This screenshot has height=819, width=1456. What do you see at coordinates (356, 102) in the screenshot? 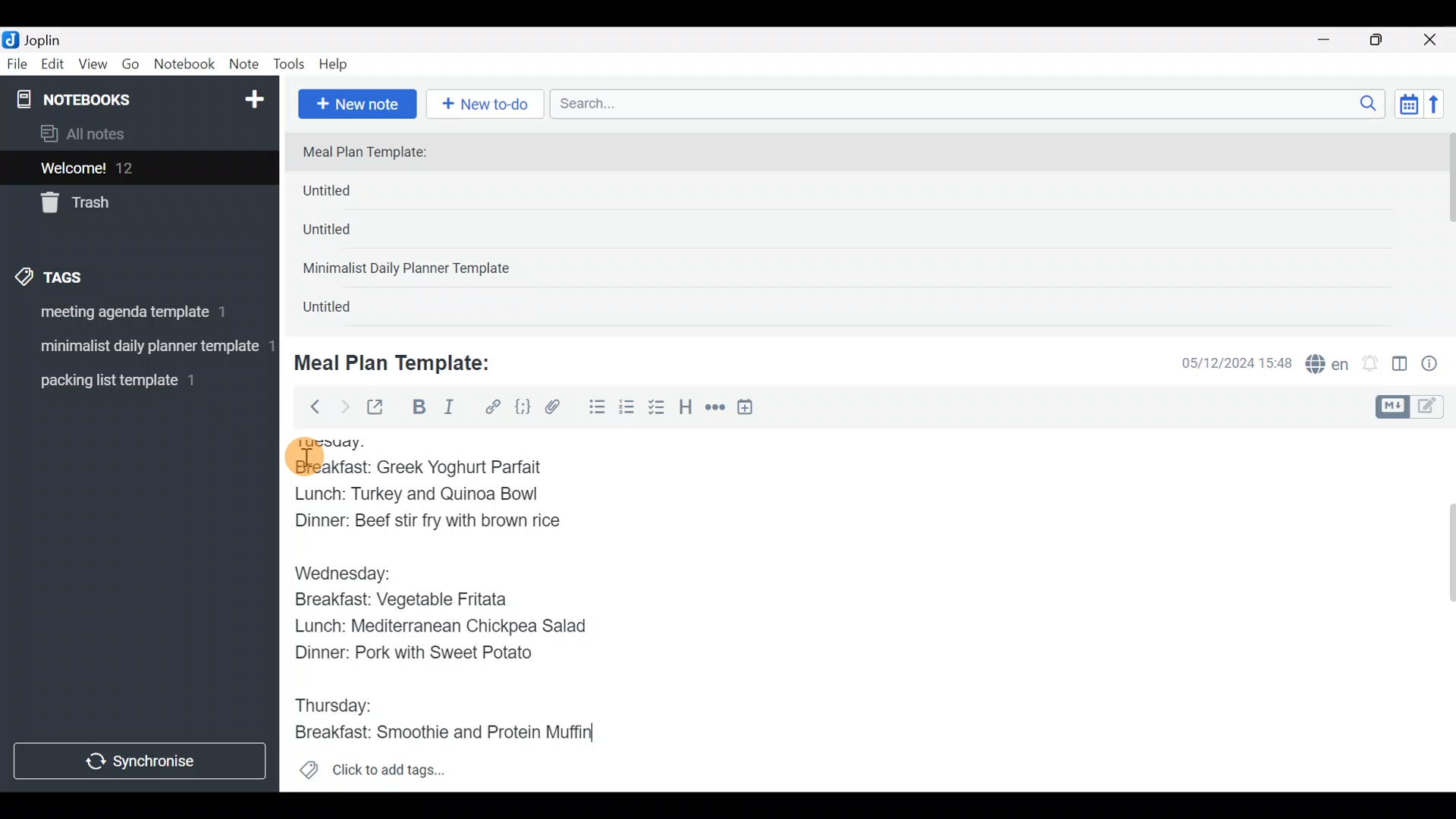
I see `New note` at bounding box center [356, 102].